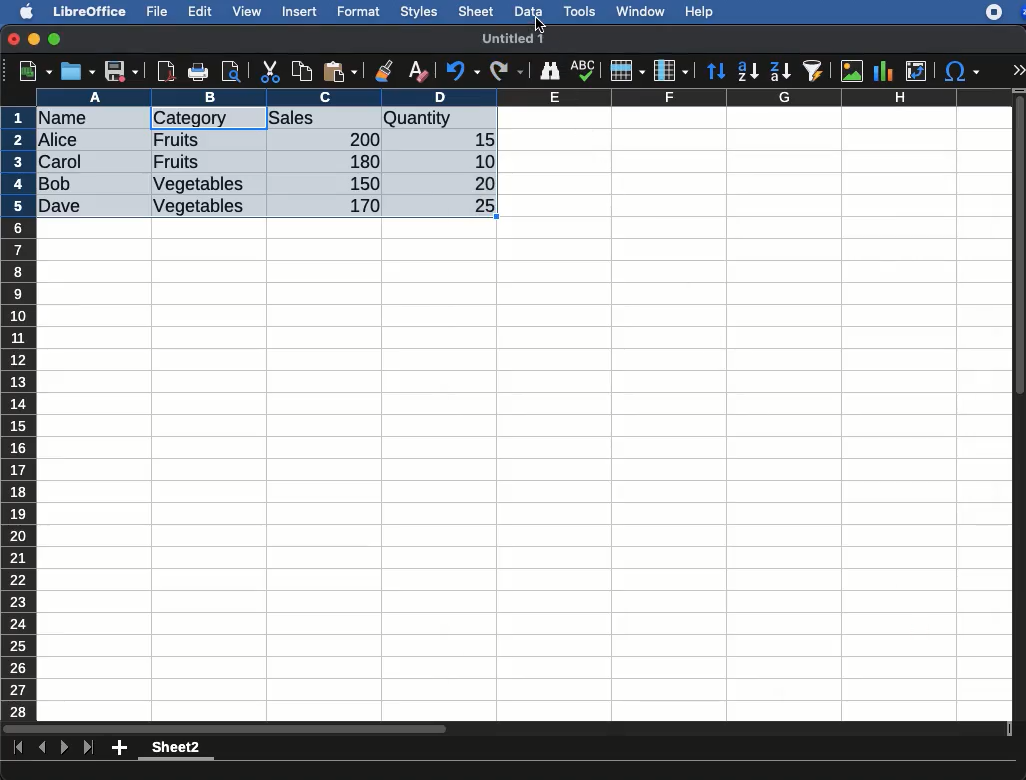 The width and height of the screenshot is (1026, 780). I want to click on 150, so click(361, 183).